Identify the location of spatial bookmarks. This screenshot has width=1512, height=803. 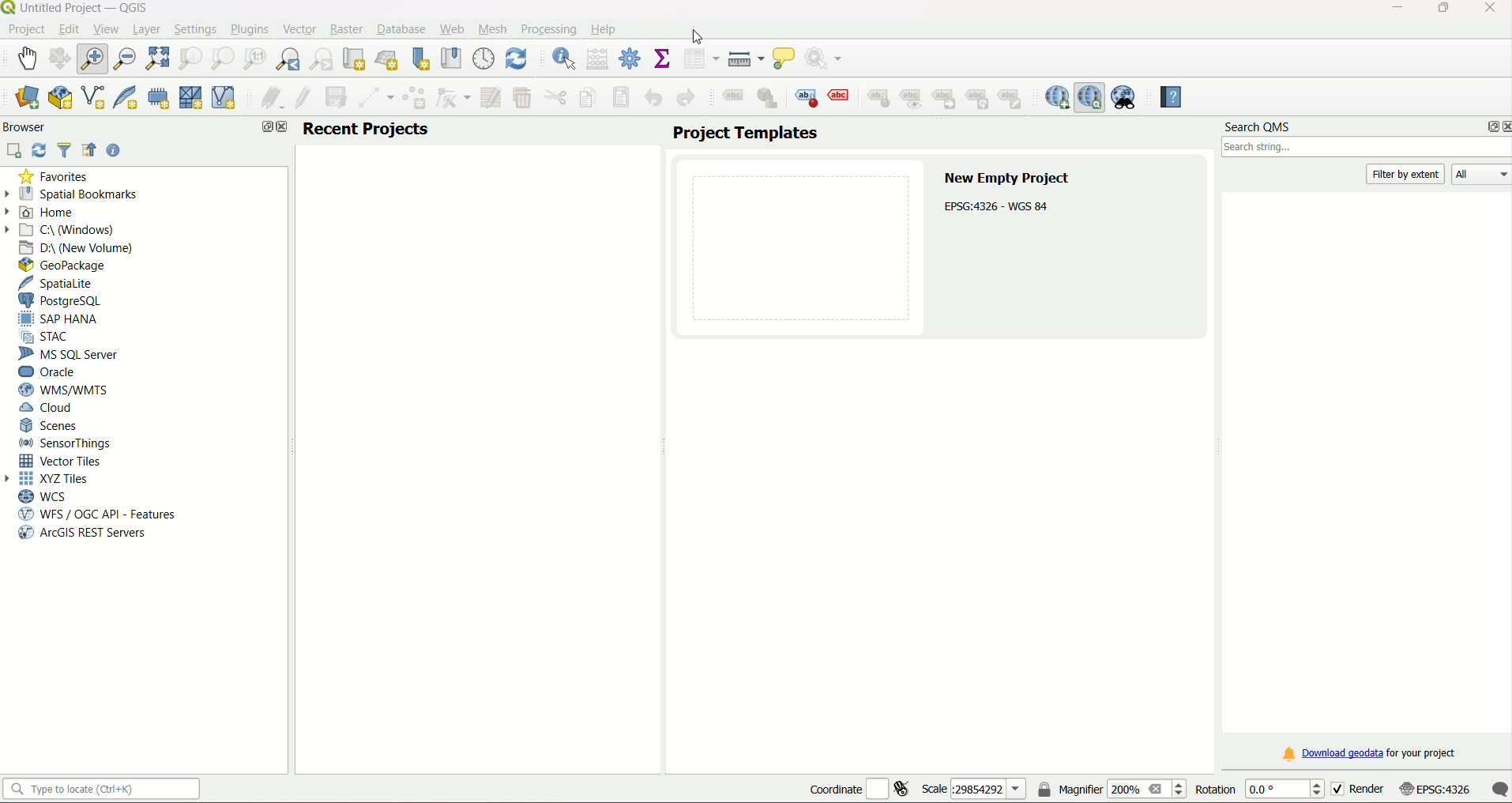
(81, 194).